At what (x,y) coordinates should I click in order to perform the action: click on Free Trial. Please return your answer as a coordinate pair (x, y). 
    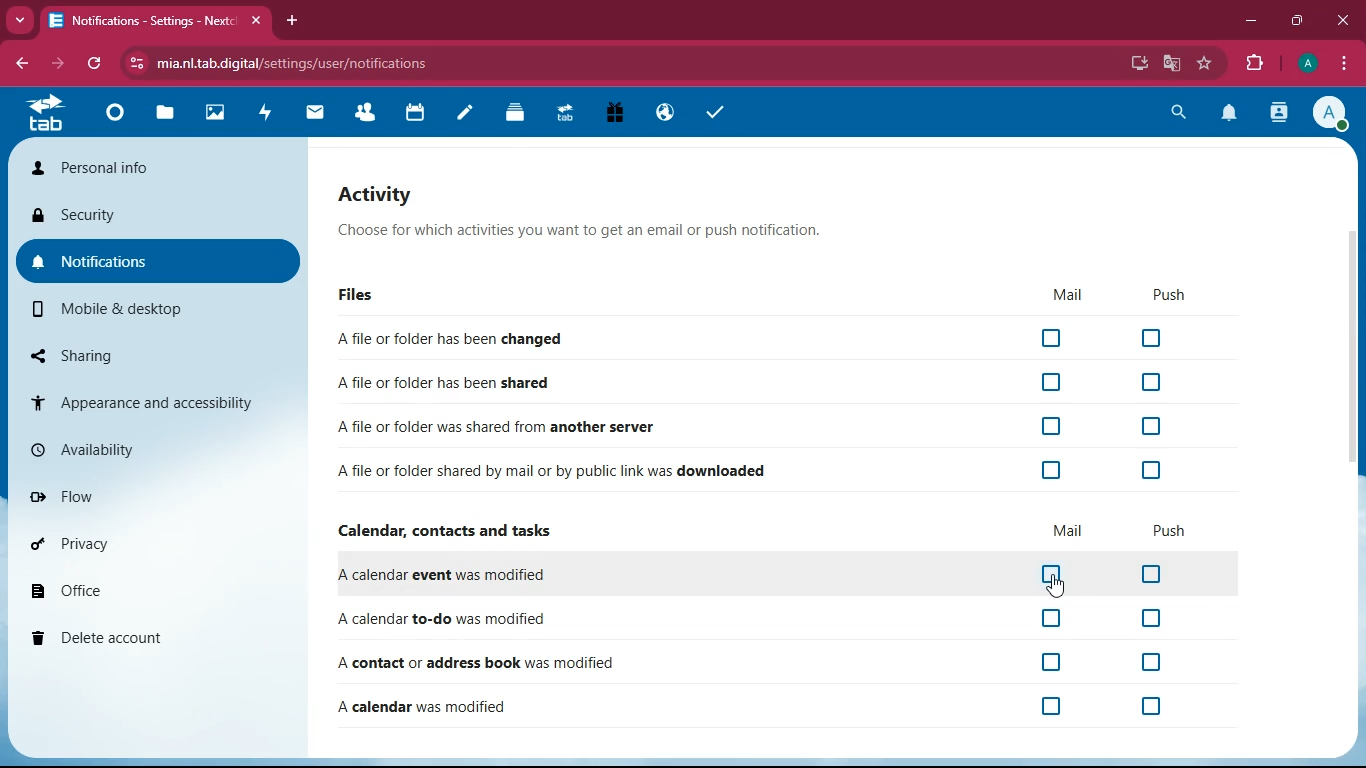
    Looking at the image, I should click on (613, 114).